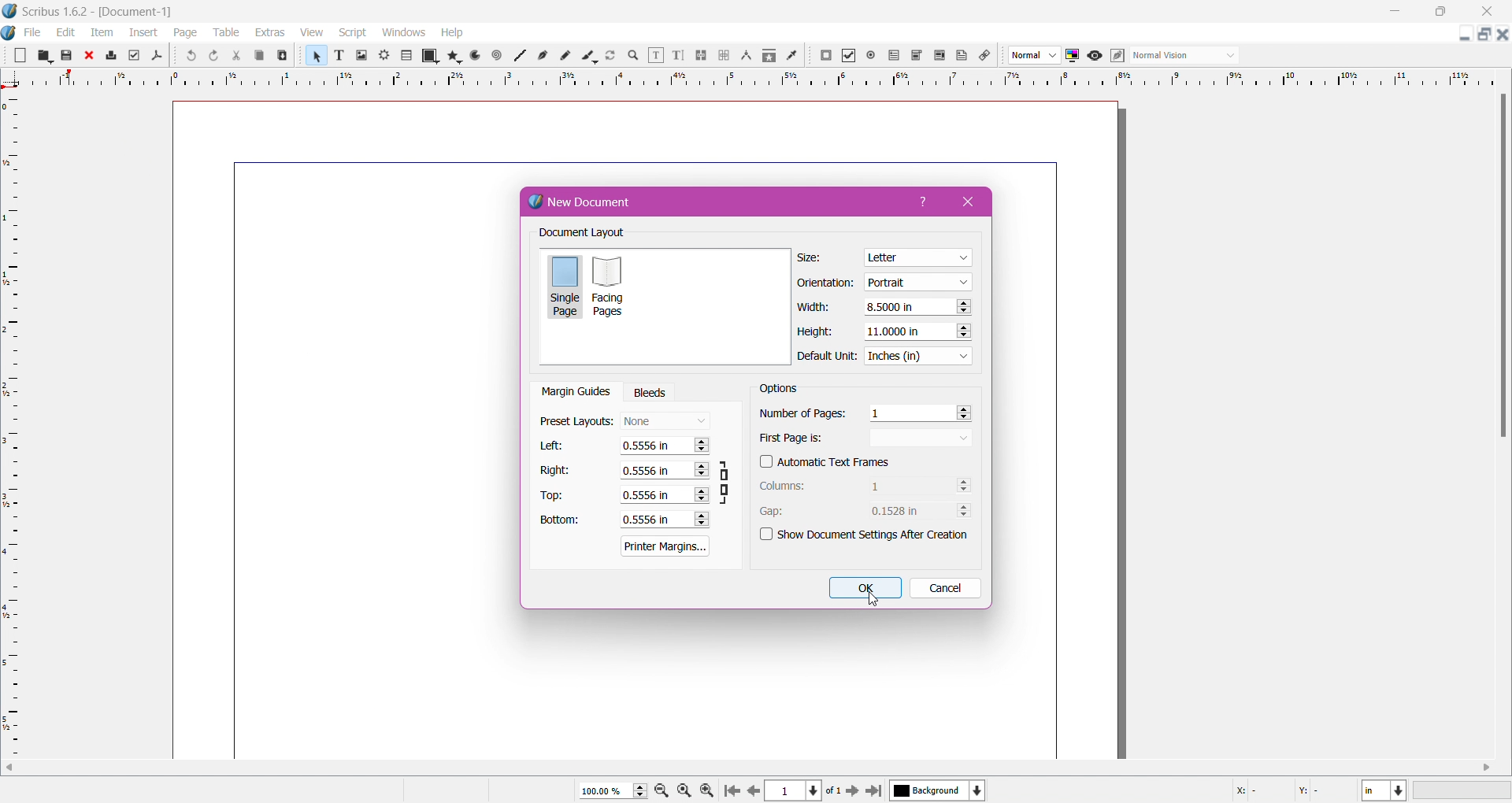  Describe the element at coordinates (22, 54) in the screenshot. I see `blank page` at that location.